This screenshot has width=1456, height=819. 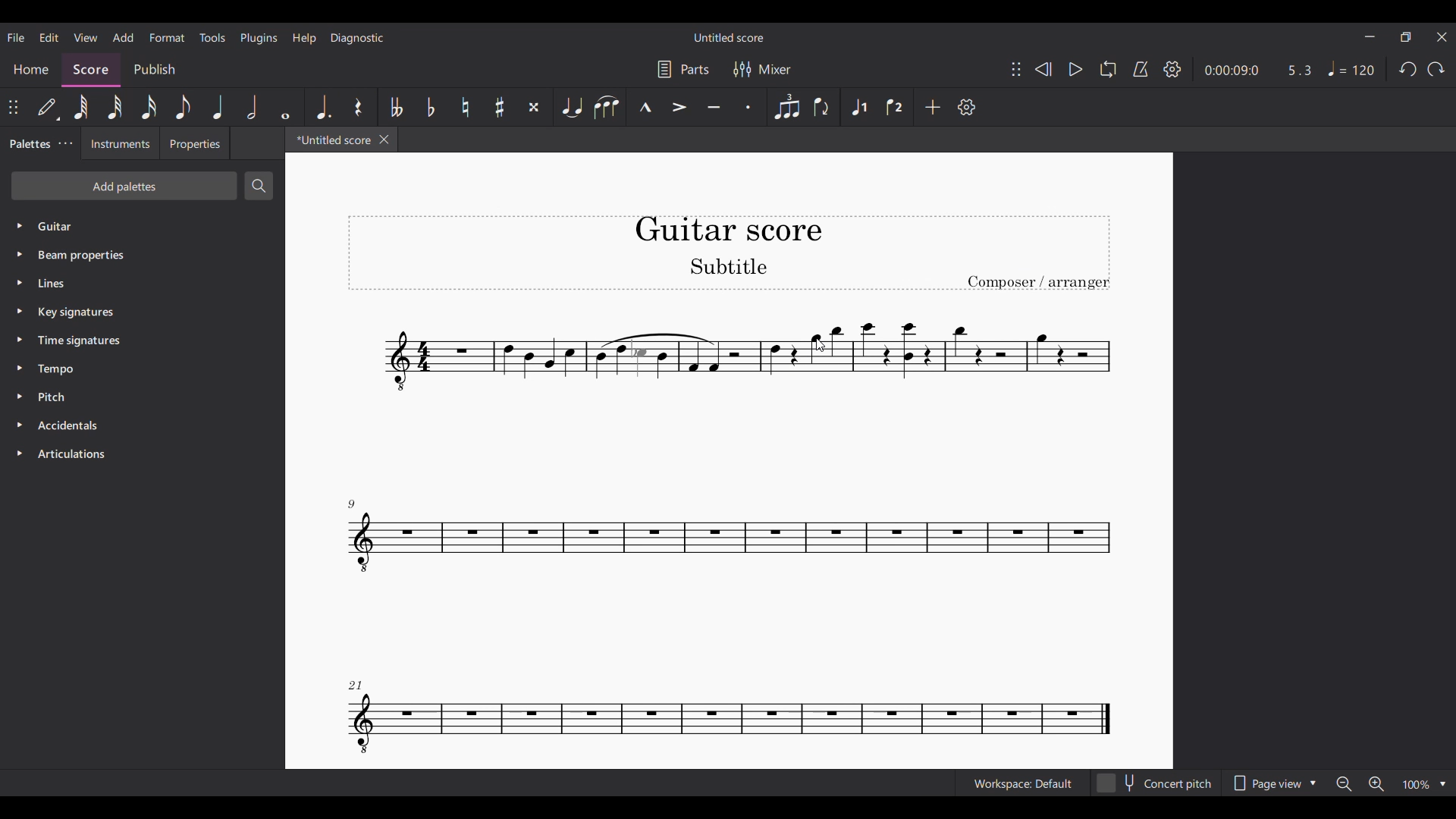 I want to click on Page view options, so click(x=1275, y=783).